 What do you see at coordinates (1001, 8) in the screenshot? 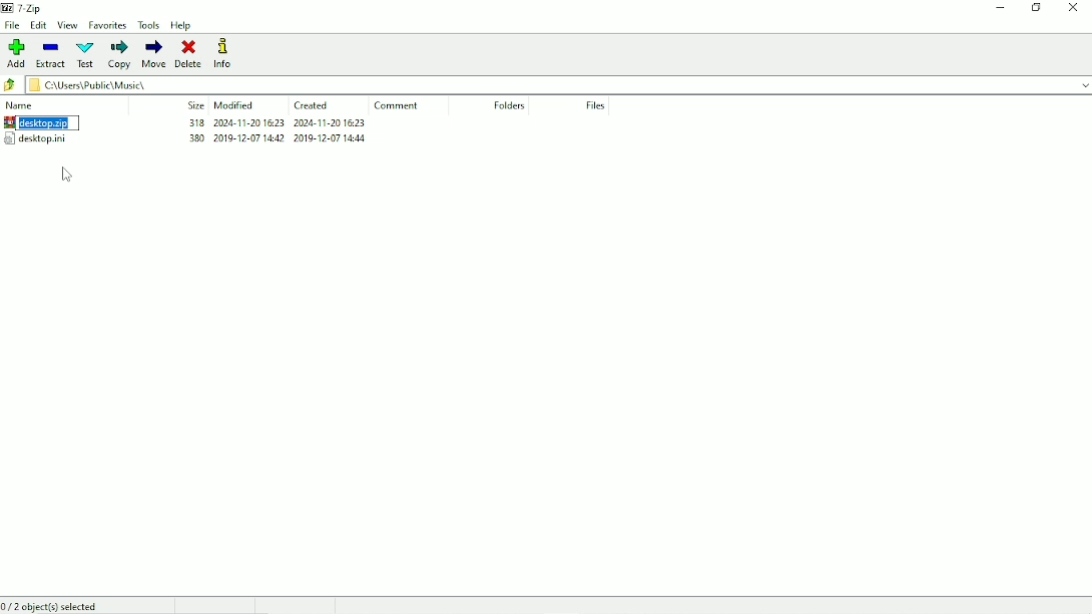
I see `Minimize` at bounding box center [1001, 8].